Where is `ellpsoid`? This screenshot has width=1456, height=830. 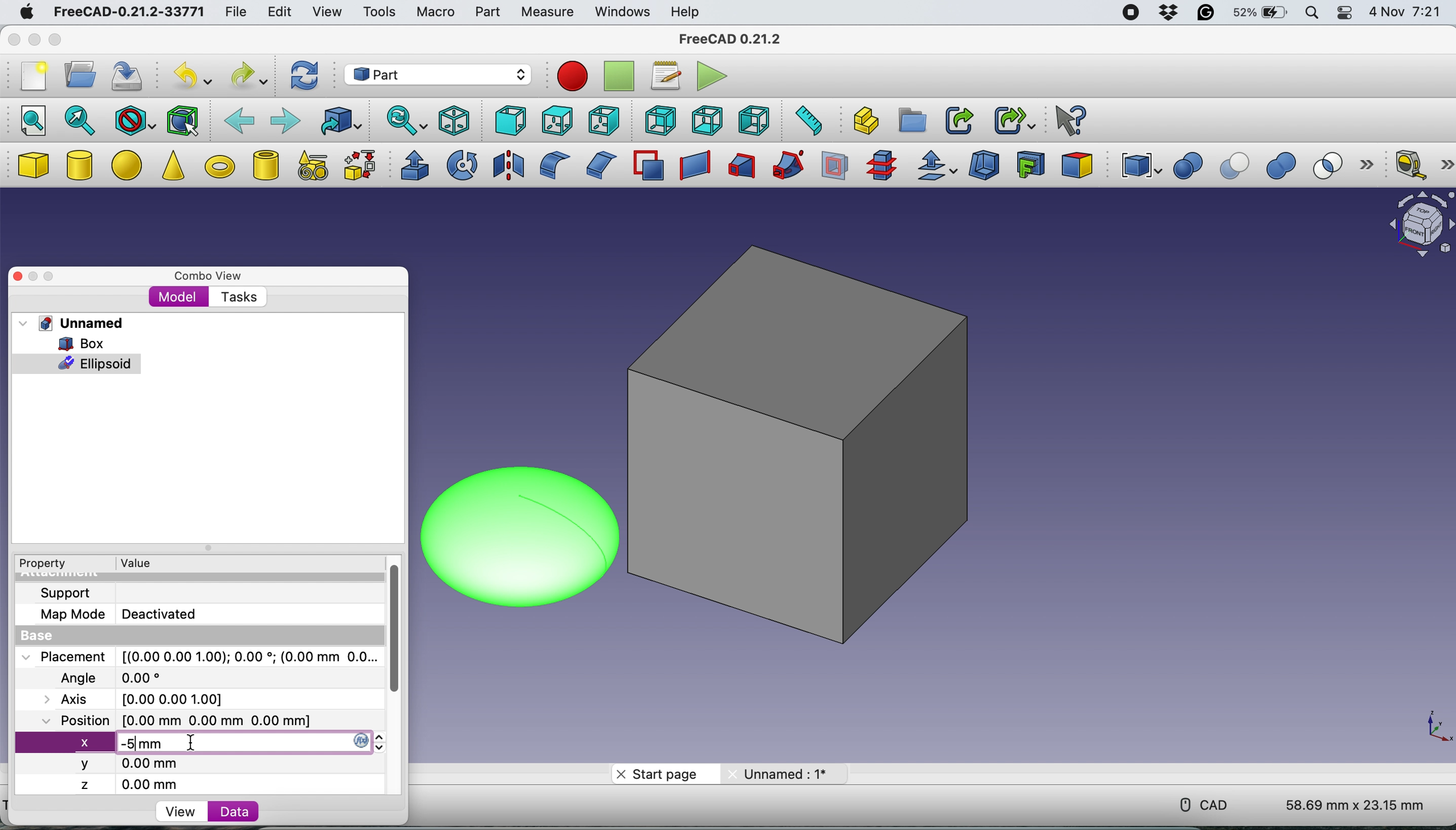 ellpsoid is located at coordinates (78, 363).